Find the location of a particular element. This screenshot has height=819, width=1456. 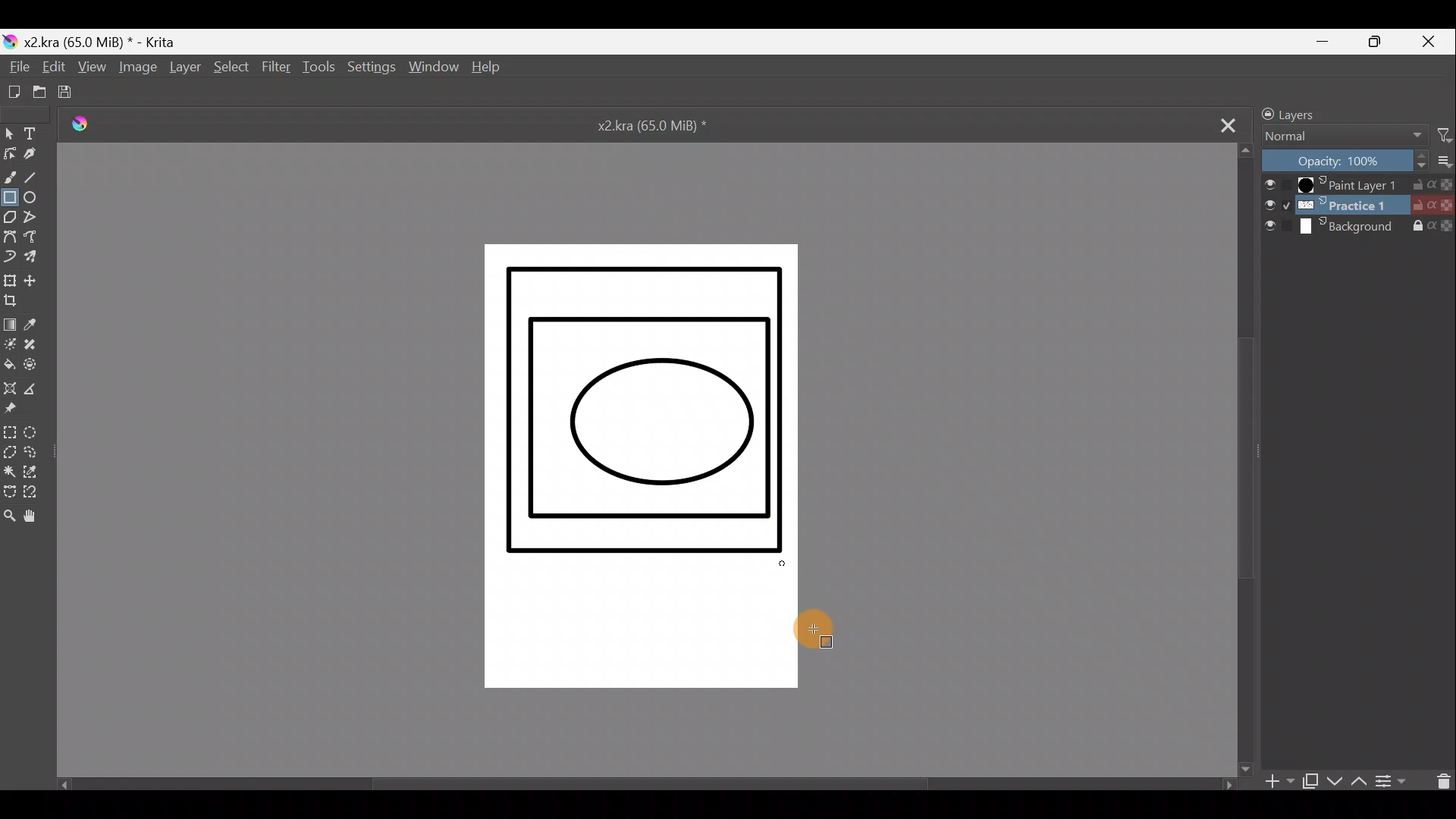

Bezier curve tool is located at coordinates (10, 235).